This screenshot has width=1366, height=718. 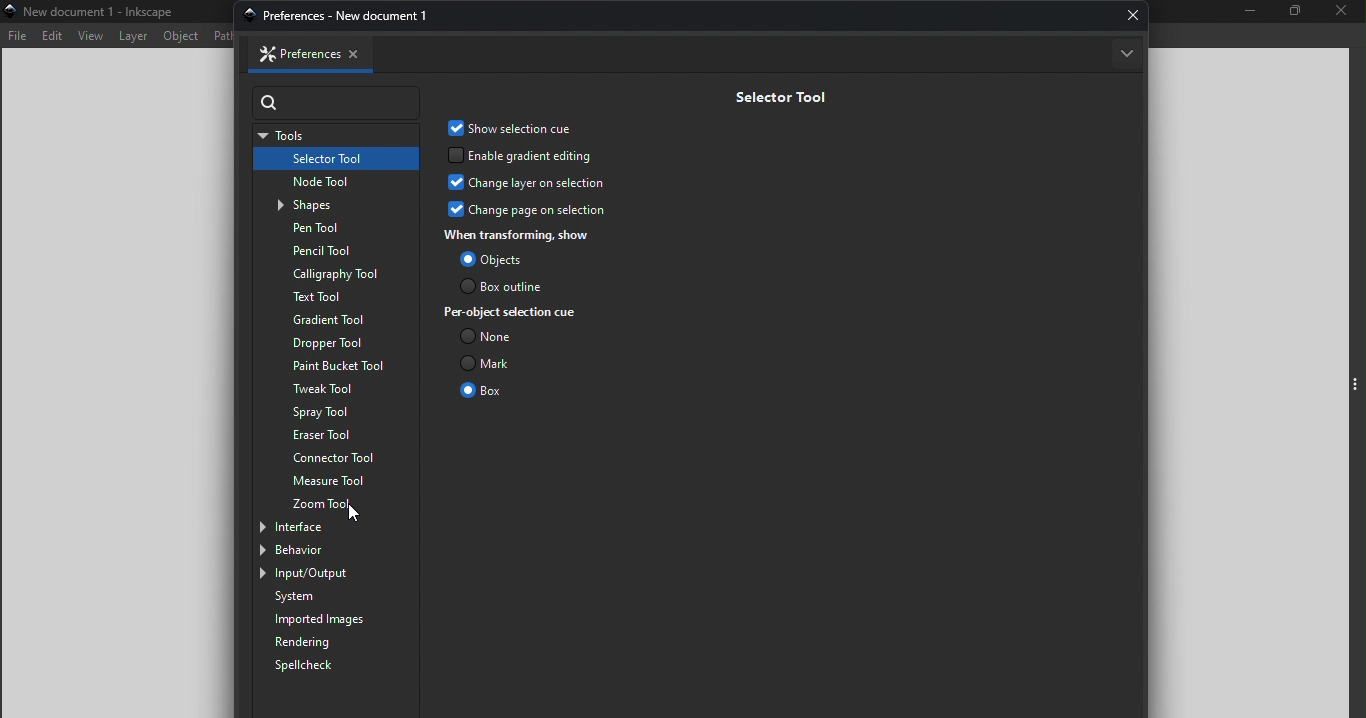 What do you see at coordinates (324, 667) in the screenshot?
I see `Spellcheck` at bounding box center [324, 667].